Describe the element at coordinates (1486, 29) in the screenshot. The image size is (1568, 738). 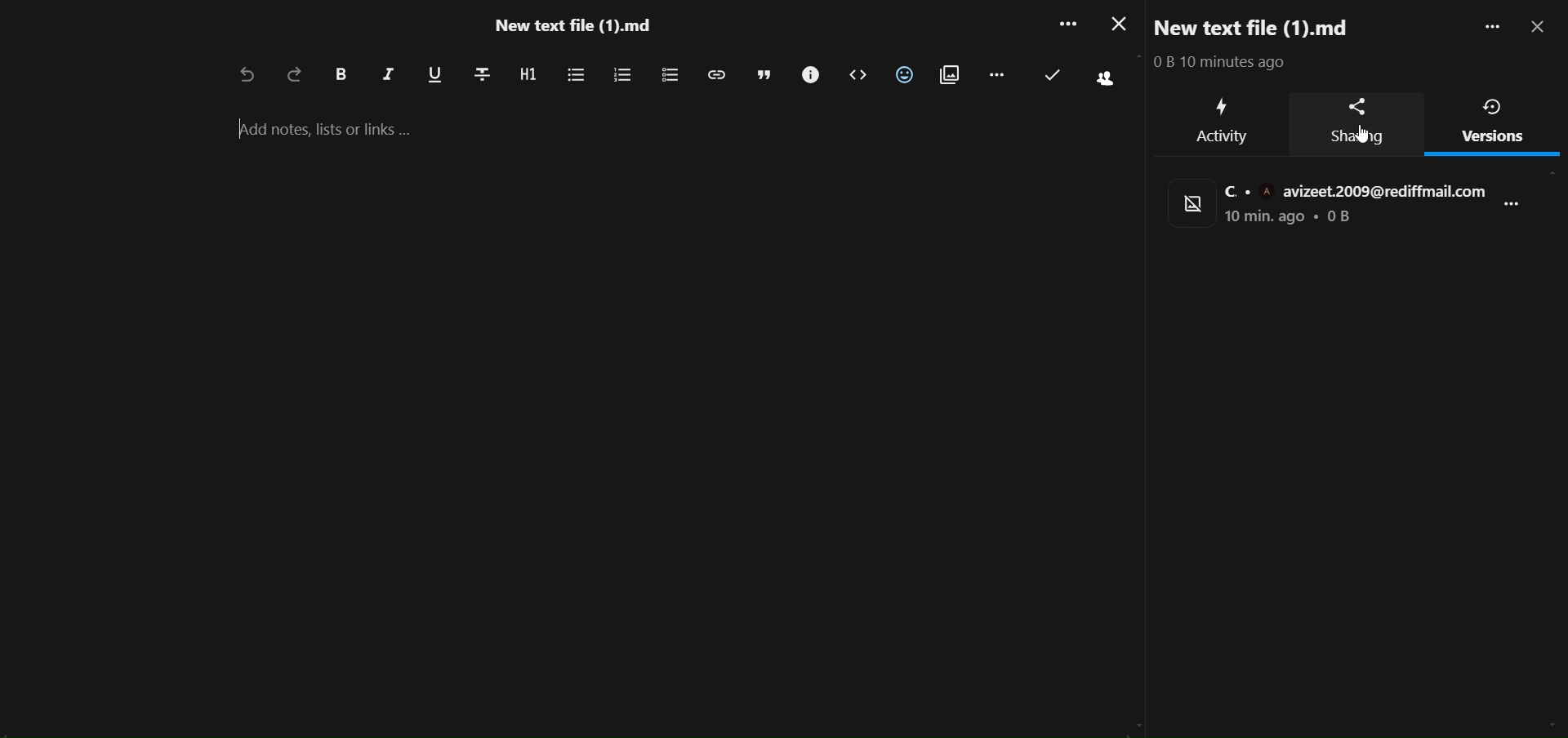
I see `more` at that location.